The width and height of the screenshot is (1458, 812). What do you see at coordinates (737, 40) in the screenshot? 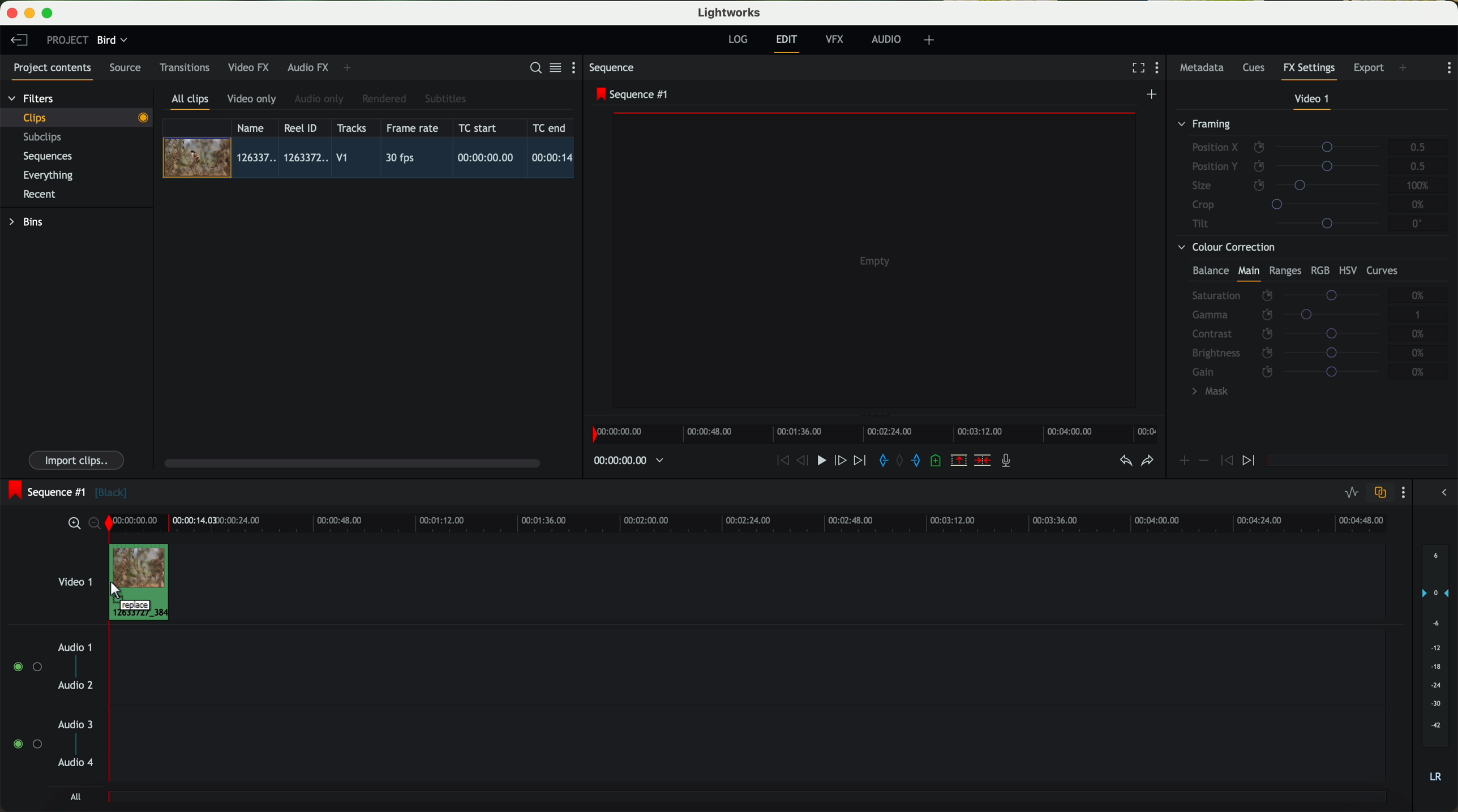
I see `log` at bounding box center [737, 40].